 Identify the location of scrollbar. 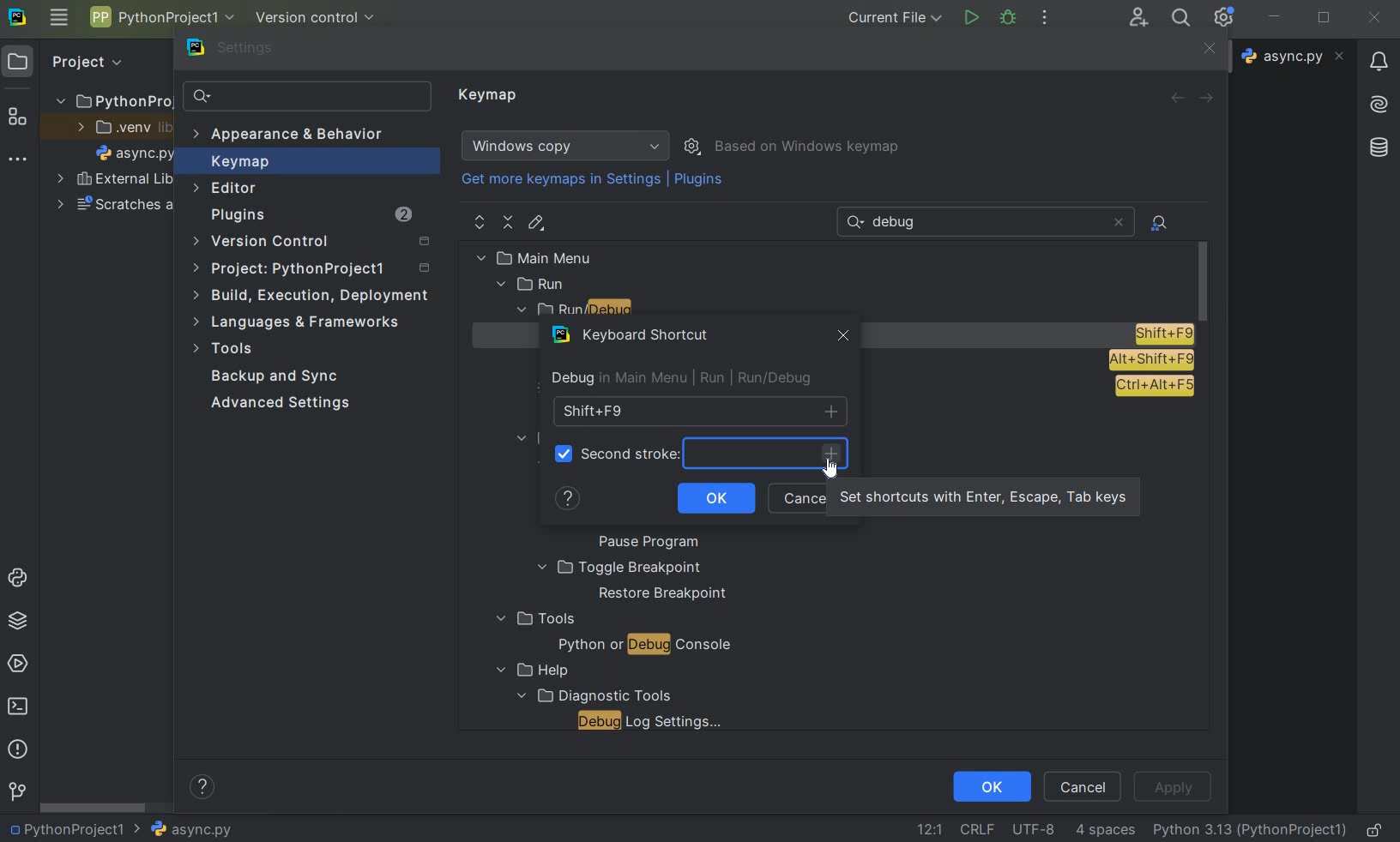
(94, 808).